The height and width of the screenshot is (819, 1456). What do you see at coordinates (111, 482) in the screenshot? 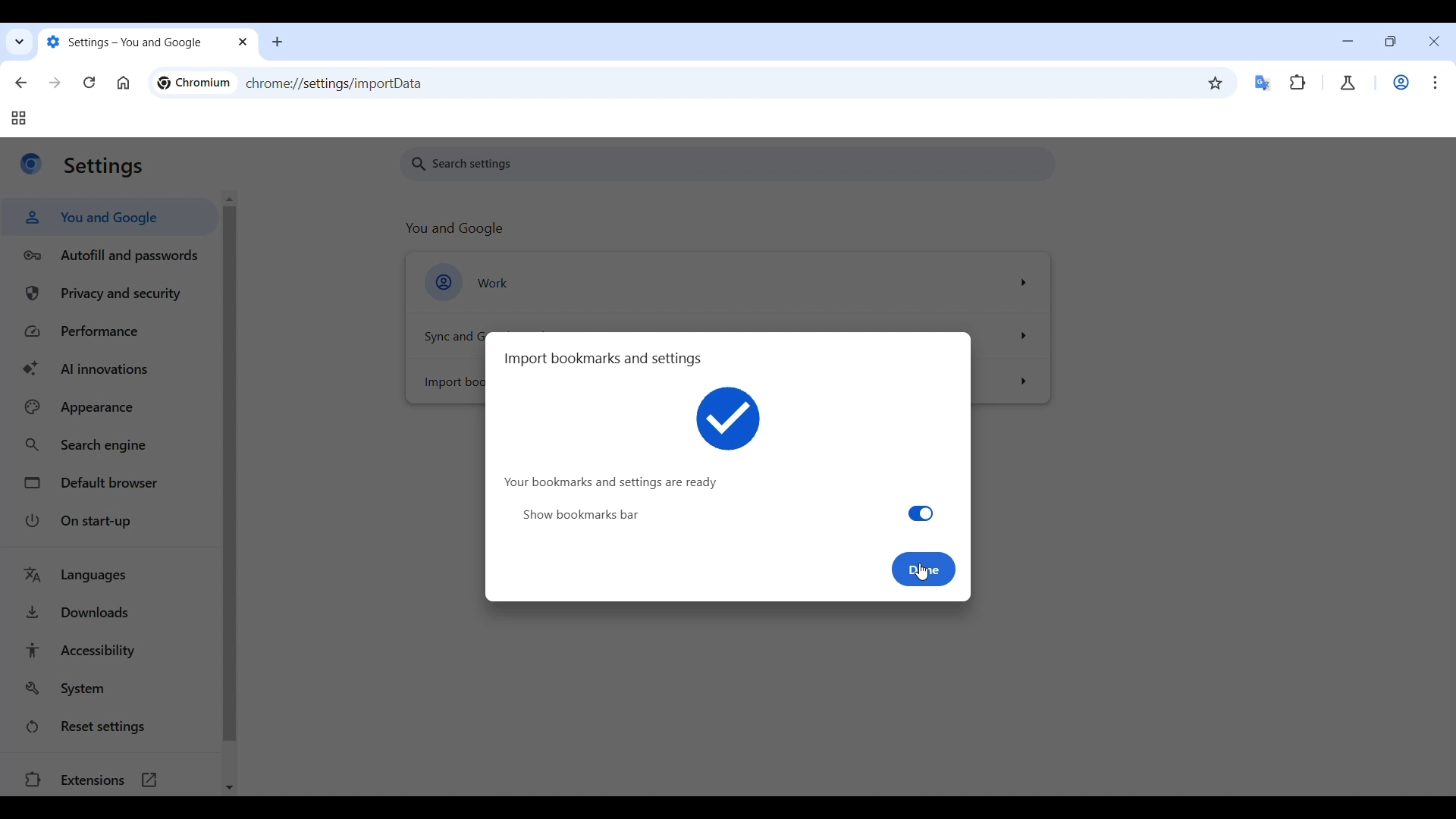
I see `Default browser` at bounding box center [111, 482].